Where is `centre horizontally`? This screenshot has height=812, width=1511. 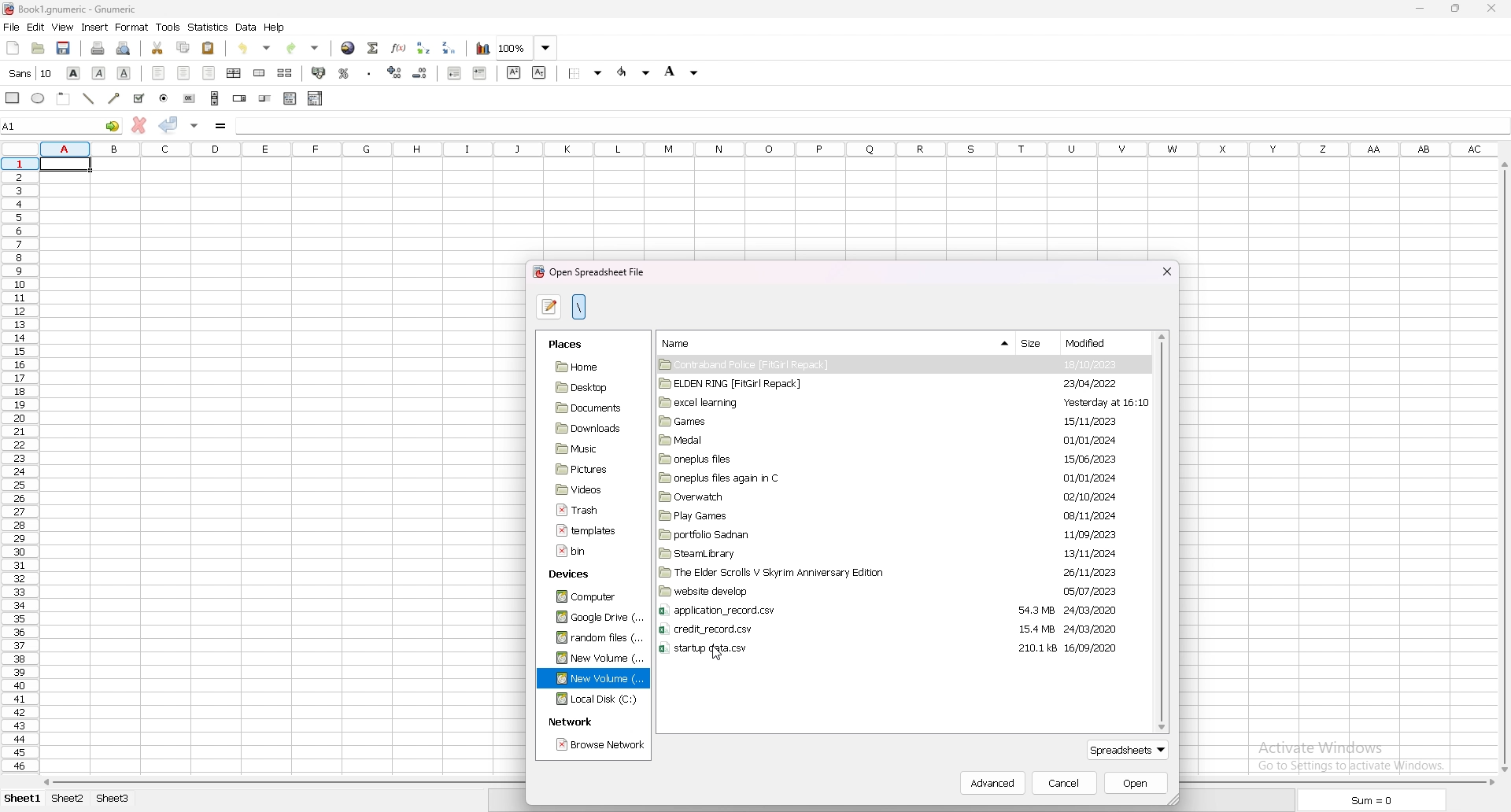 centre horizontally is located at coordinates (235, 73).